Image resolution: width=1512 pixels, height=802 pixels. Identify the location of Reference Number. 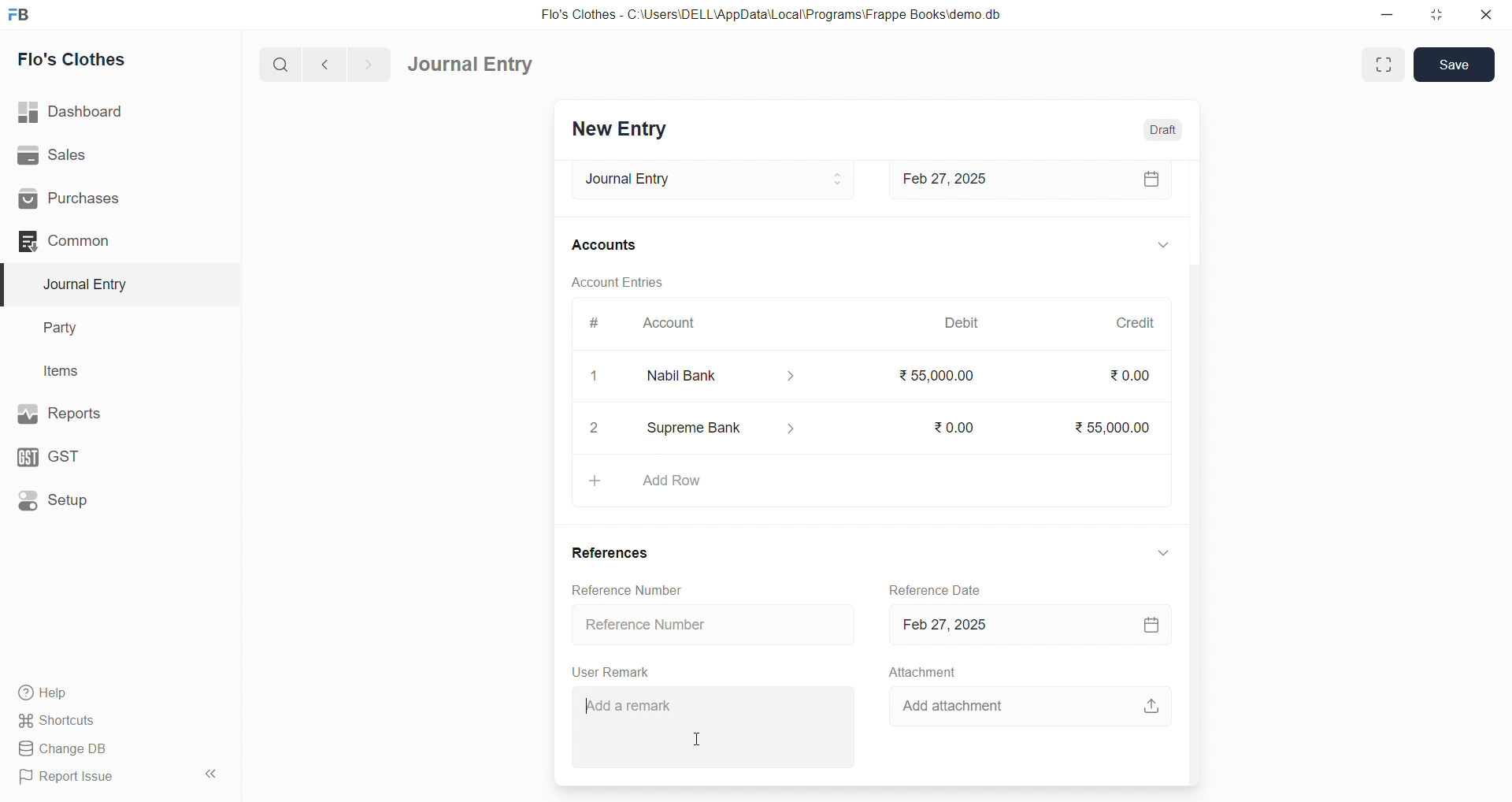
(710, 625).